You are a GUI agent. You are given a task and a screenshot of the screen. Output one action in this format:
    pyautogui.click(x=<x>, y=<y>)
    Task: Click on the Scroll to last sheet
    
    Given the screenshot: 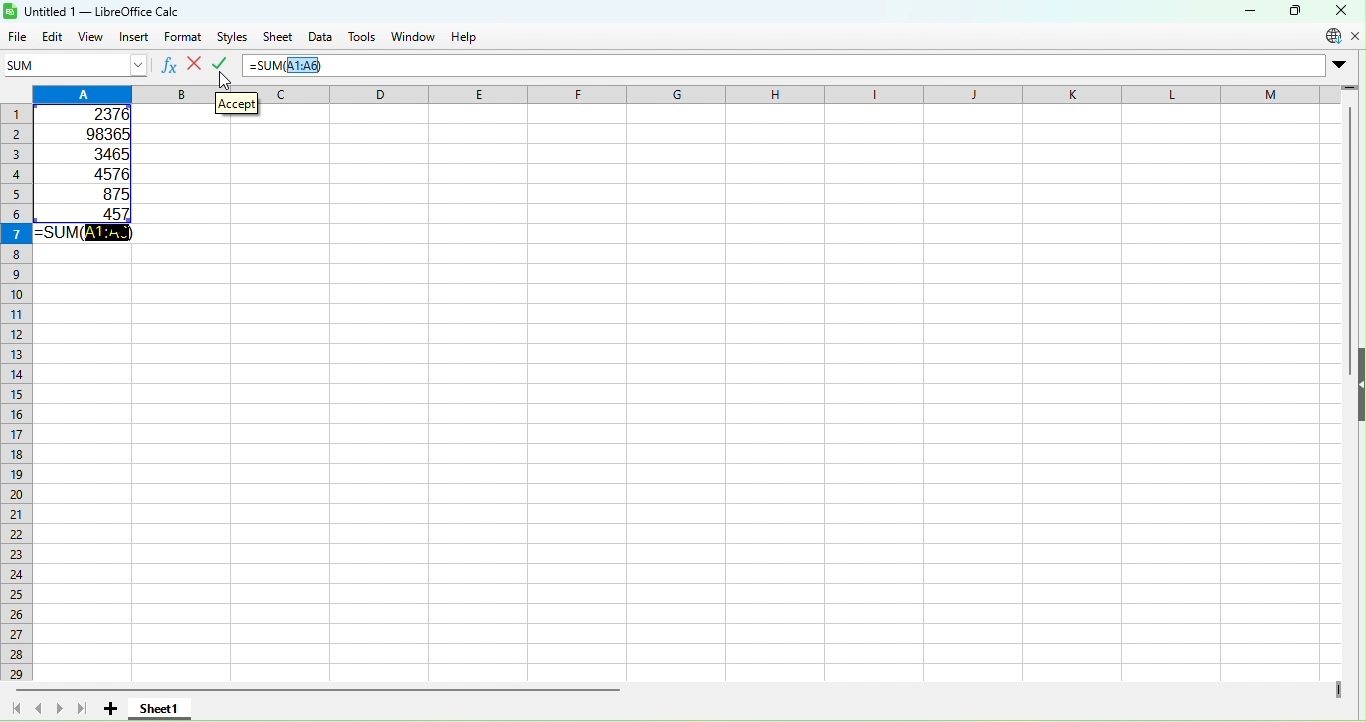 What is the action you would take?
    pyautogui.click(x=83, y=709)
    